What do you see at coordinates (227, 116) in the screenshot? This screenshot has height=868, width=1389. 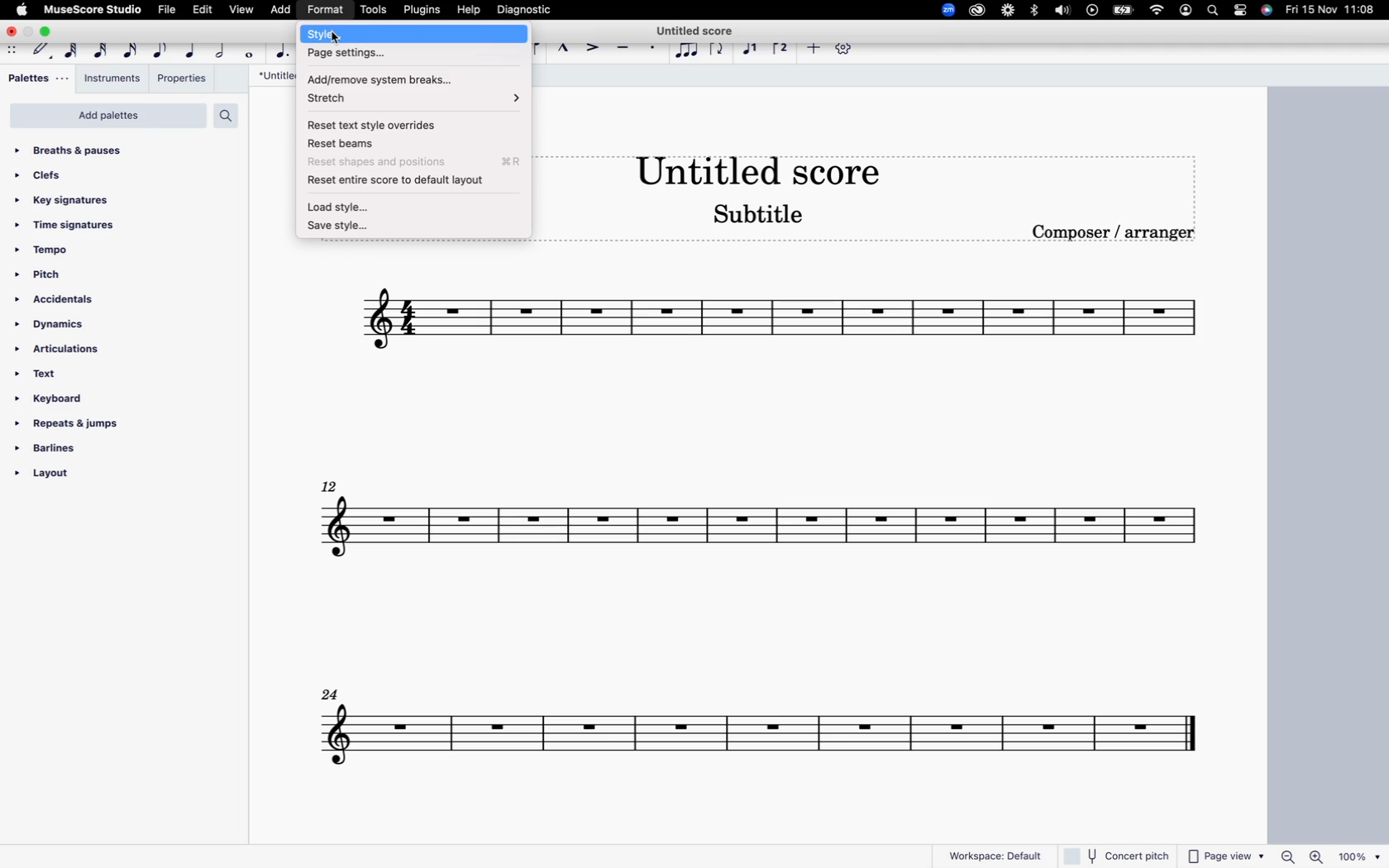 I see `search` at bounding box center [227, 116].